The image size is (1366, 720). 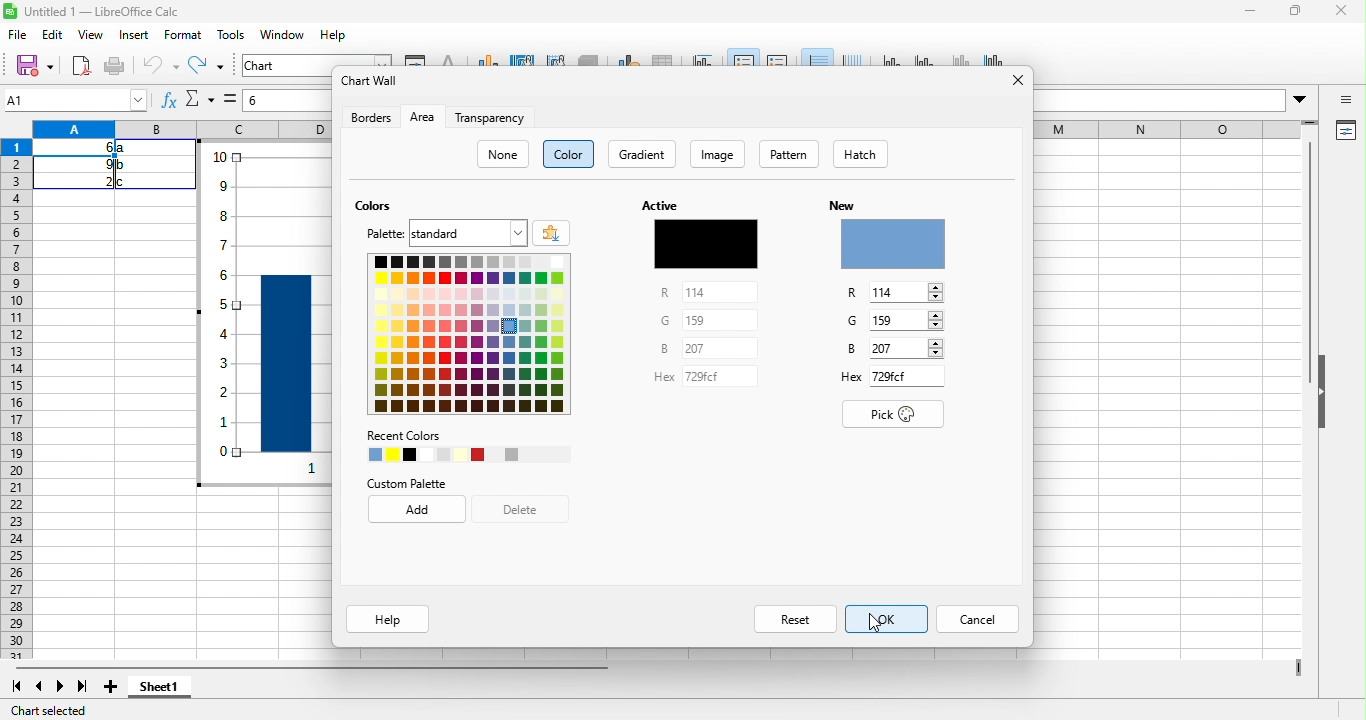 I want to click on custom palette, so click(x=411, y=483).